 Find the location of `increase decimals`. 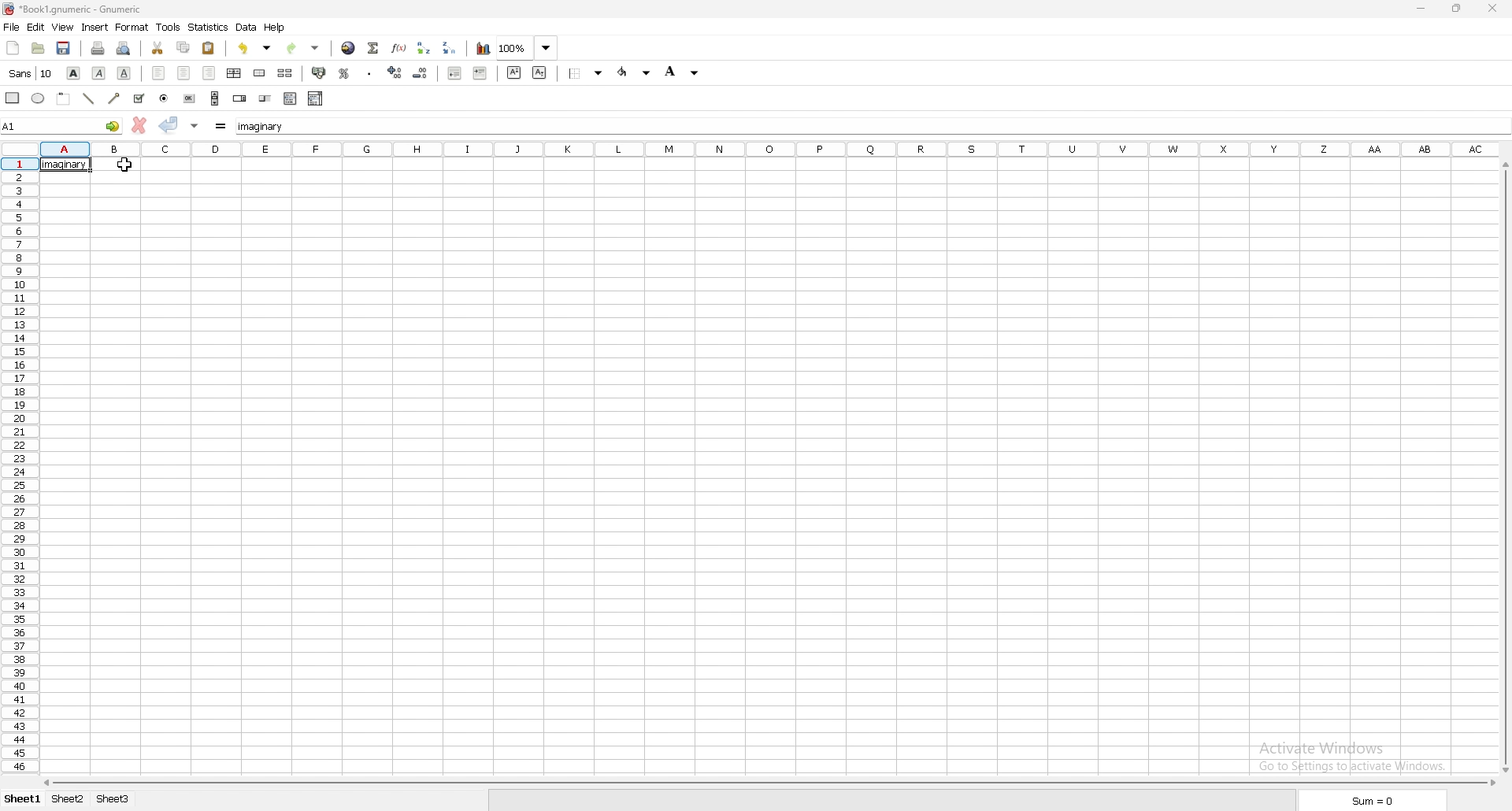

increase decimals is located at coordinates (395, 72).